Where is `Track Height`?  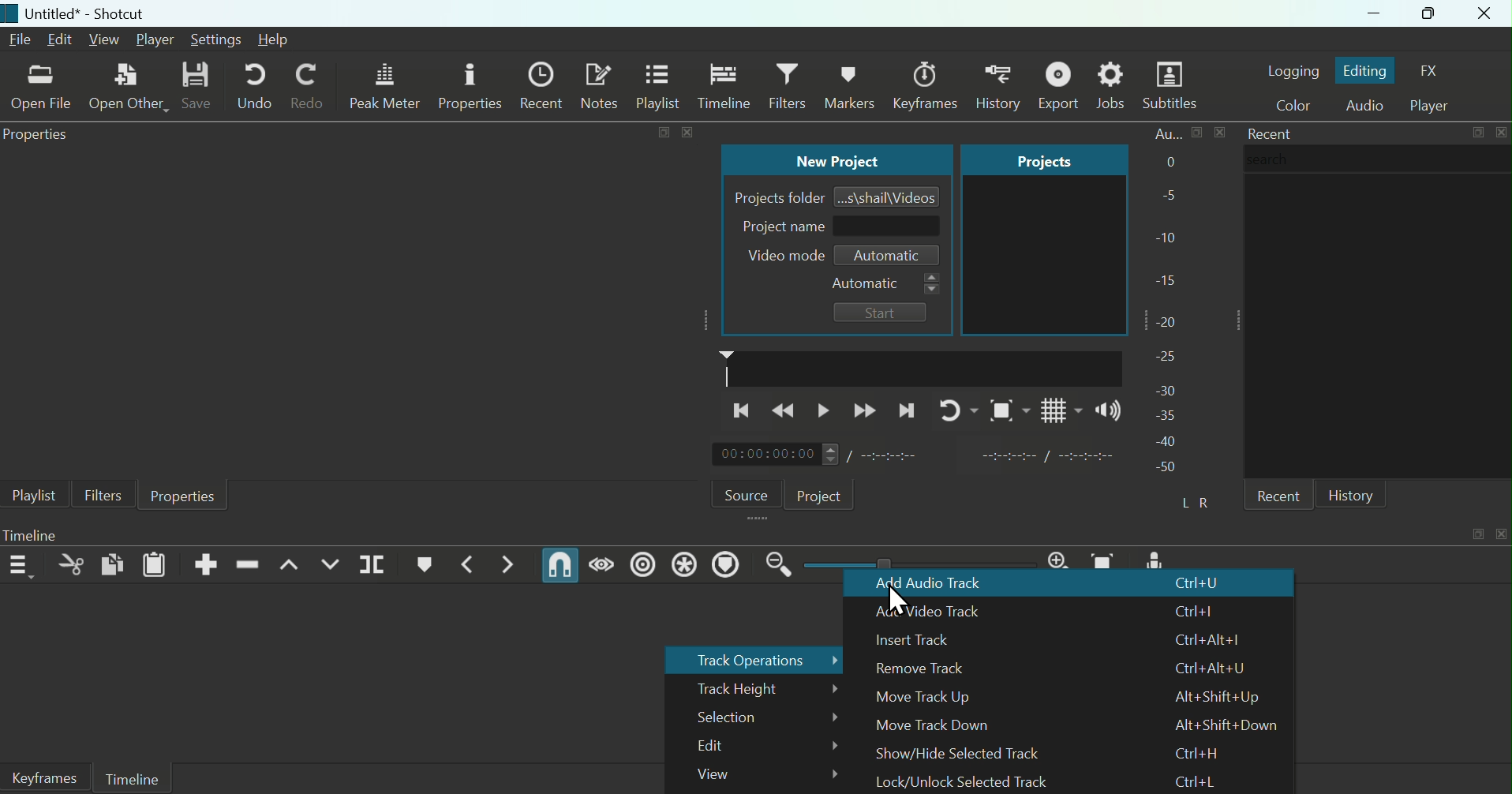 Track Height is located at coordinates (755, 688).